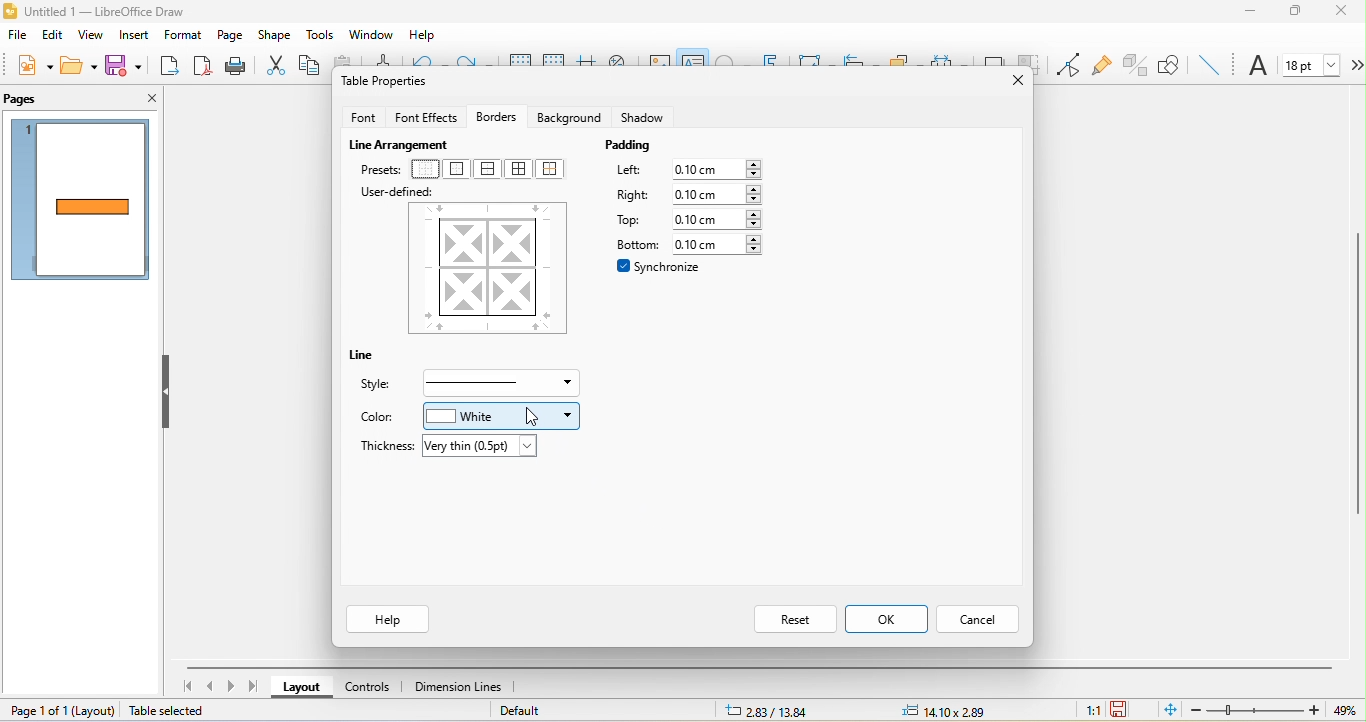 The height and width of the screenshot is (722, 1366). Describe the element at coordinates (1301, 15) in the screenshot. I see `maximize` at that location.